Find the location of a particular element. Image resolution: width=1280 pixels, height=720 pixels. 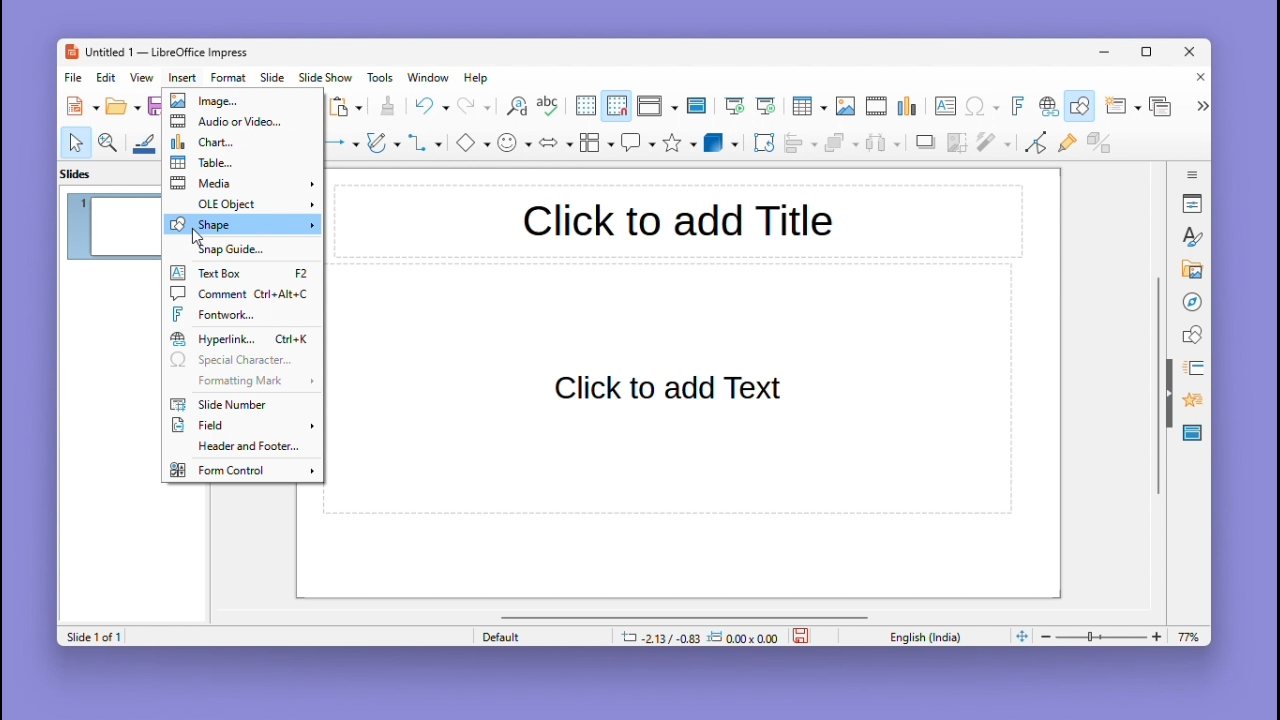

New slide is located at coordinates (1122, 107).